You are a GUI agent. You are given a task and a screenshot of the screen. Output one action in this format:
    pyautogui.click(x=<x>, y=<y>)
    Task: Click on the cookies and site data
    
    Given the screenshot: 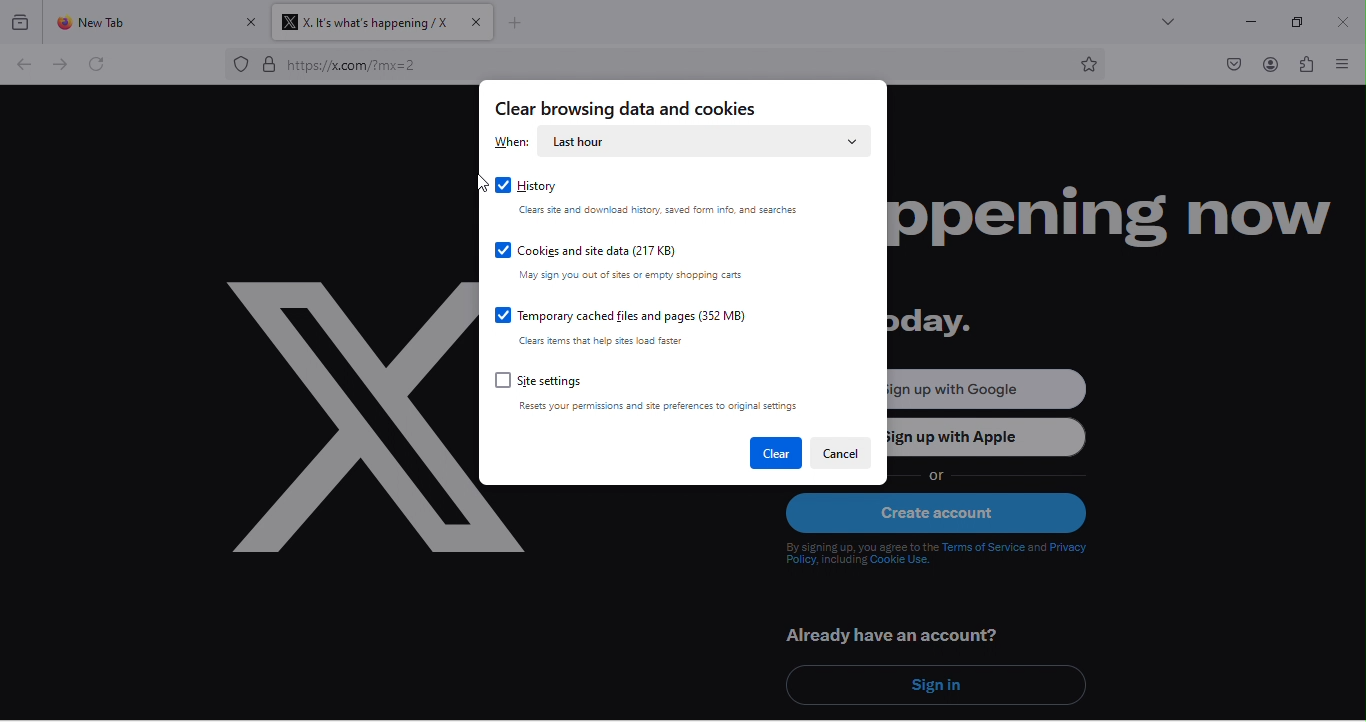 What is the action you would take?
    pyautogui.click(x=625, y=265)
    